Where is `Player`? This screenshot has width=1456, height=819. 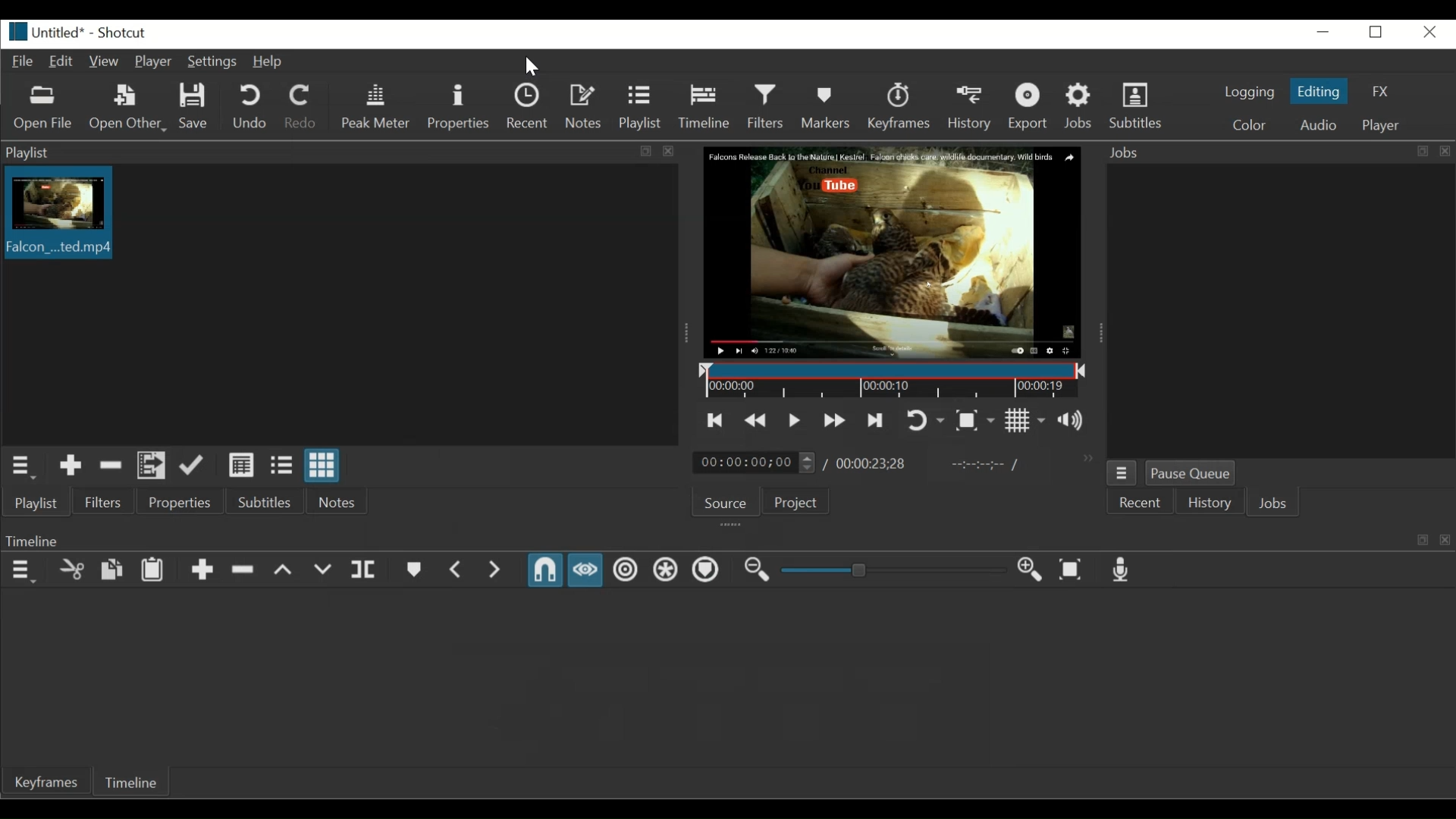
Player is located at coordinates (1378, 124).